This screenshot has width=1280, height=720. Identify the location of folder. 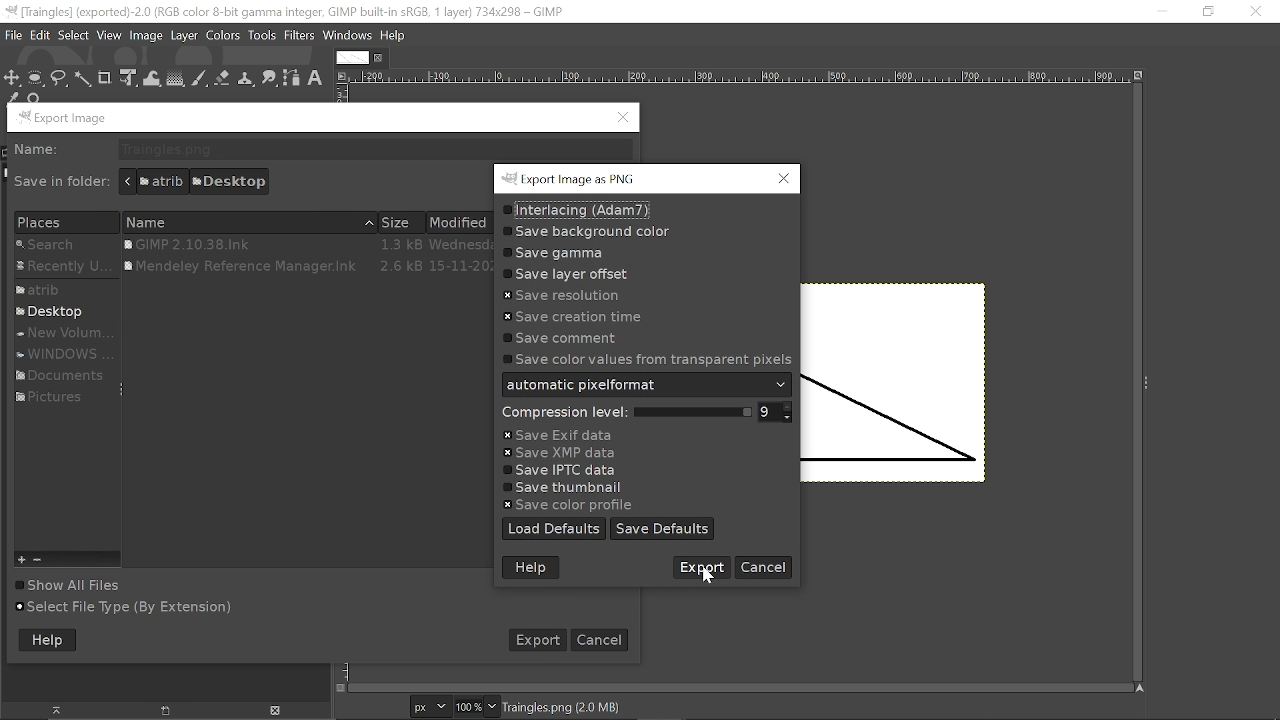
(56, 374).